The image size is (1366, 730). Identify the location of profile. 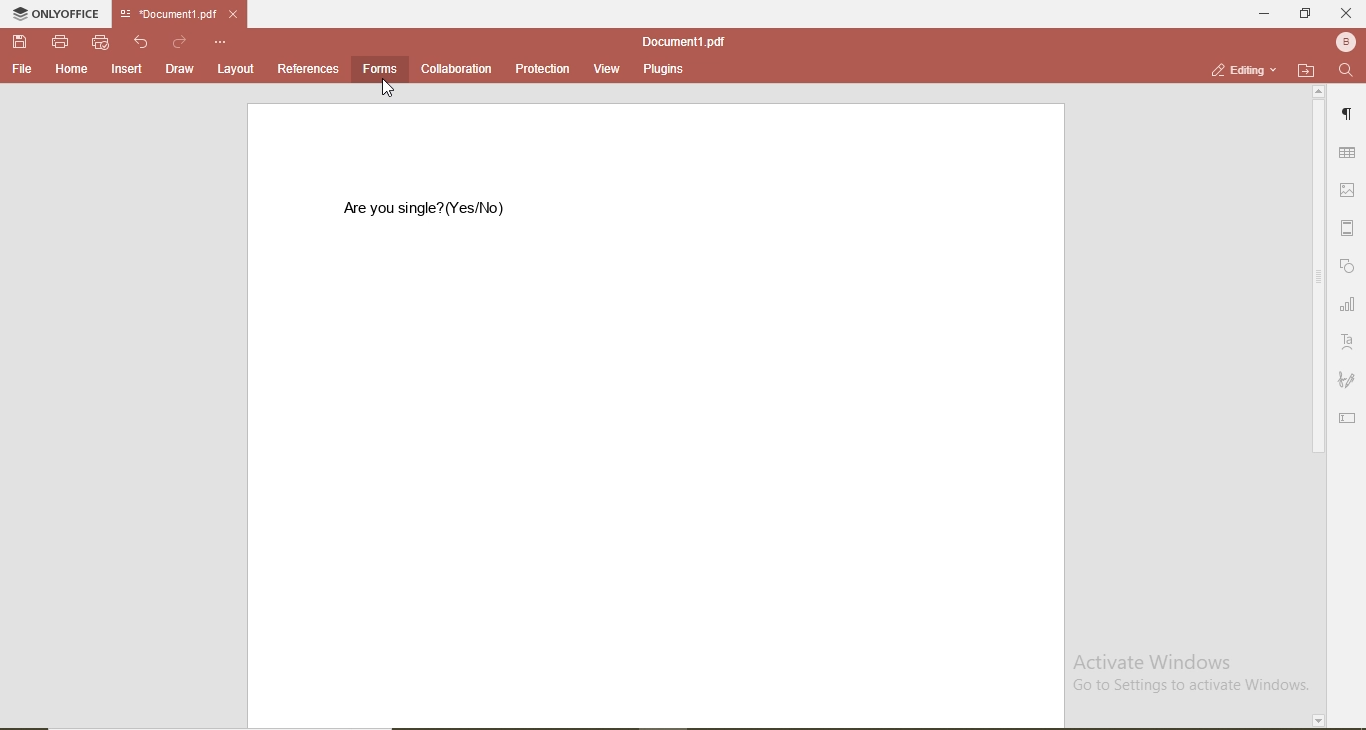
(1347, 43).